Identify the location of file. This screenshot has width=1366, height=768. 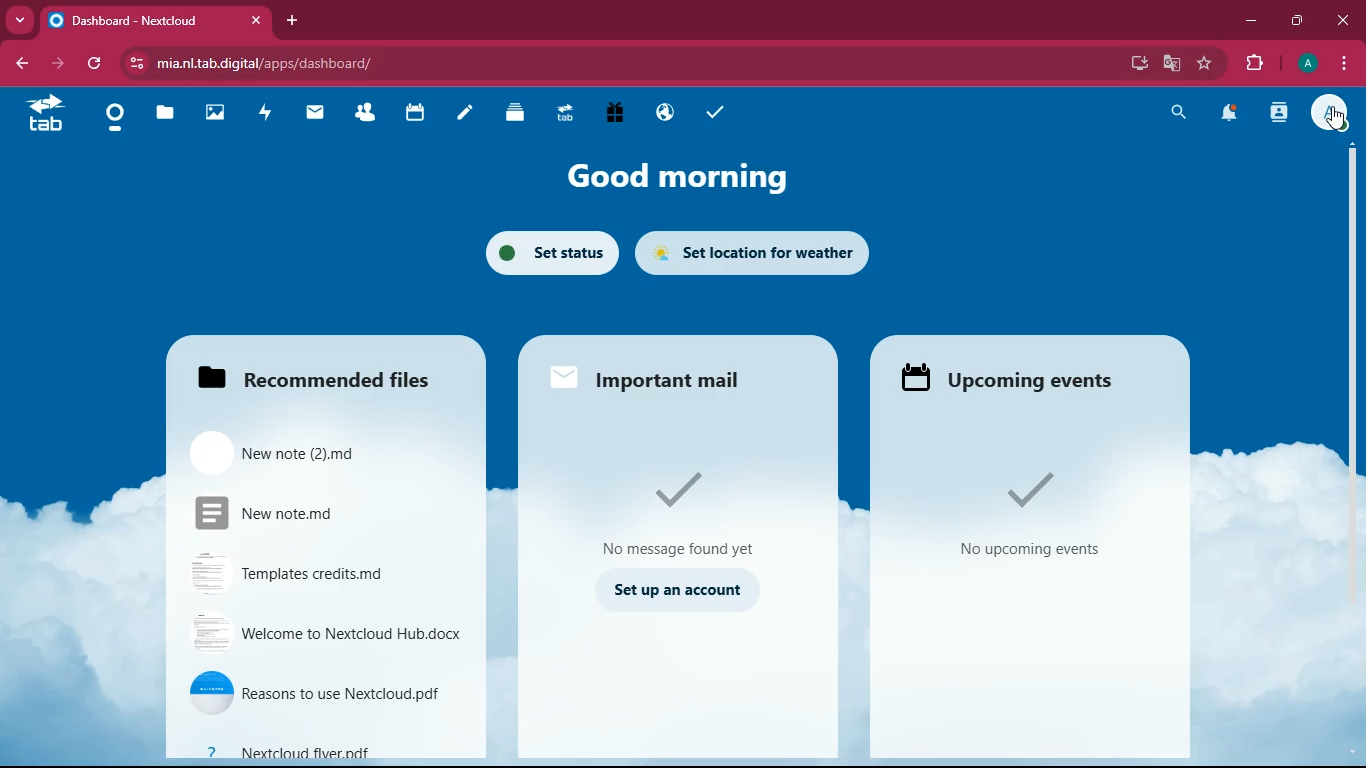
(295, 512).